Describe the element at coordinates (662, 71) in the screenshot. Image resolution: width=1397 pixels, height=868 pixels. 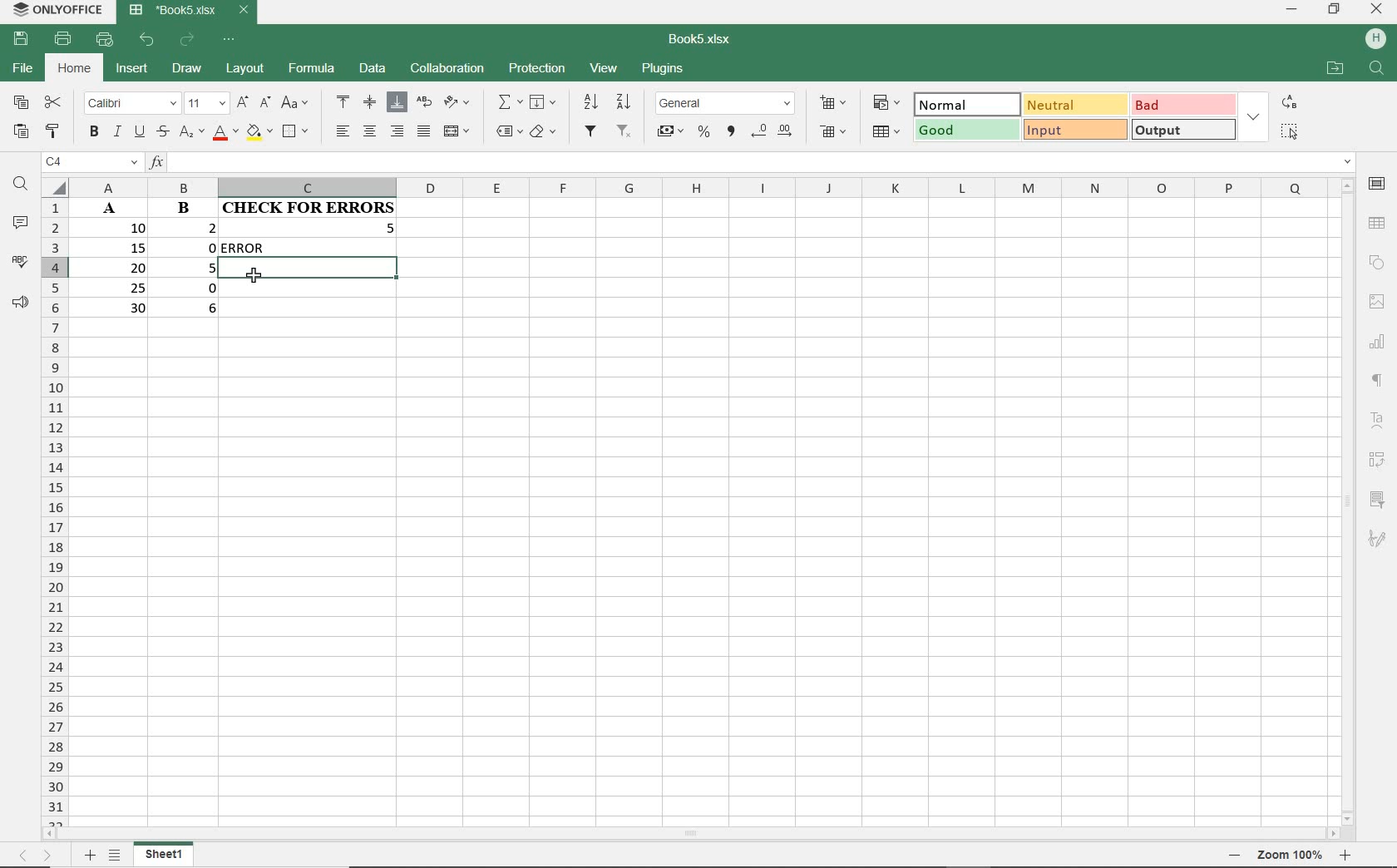
I see `PLUGINS` at that location.